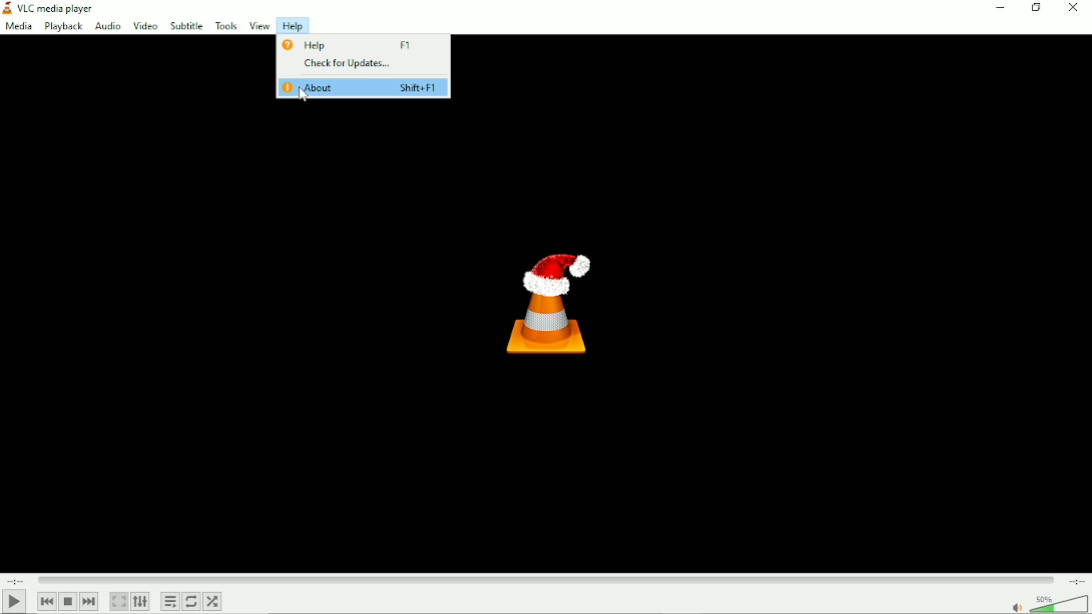  Describe the element at coordinates (1059, 603) in the screenshot. I see `Volume` at that location.